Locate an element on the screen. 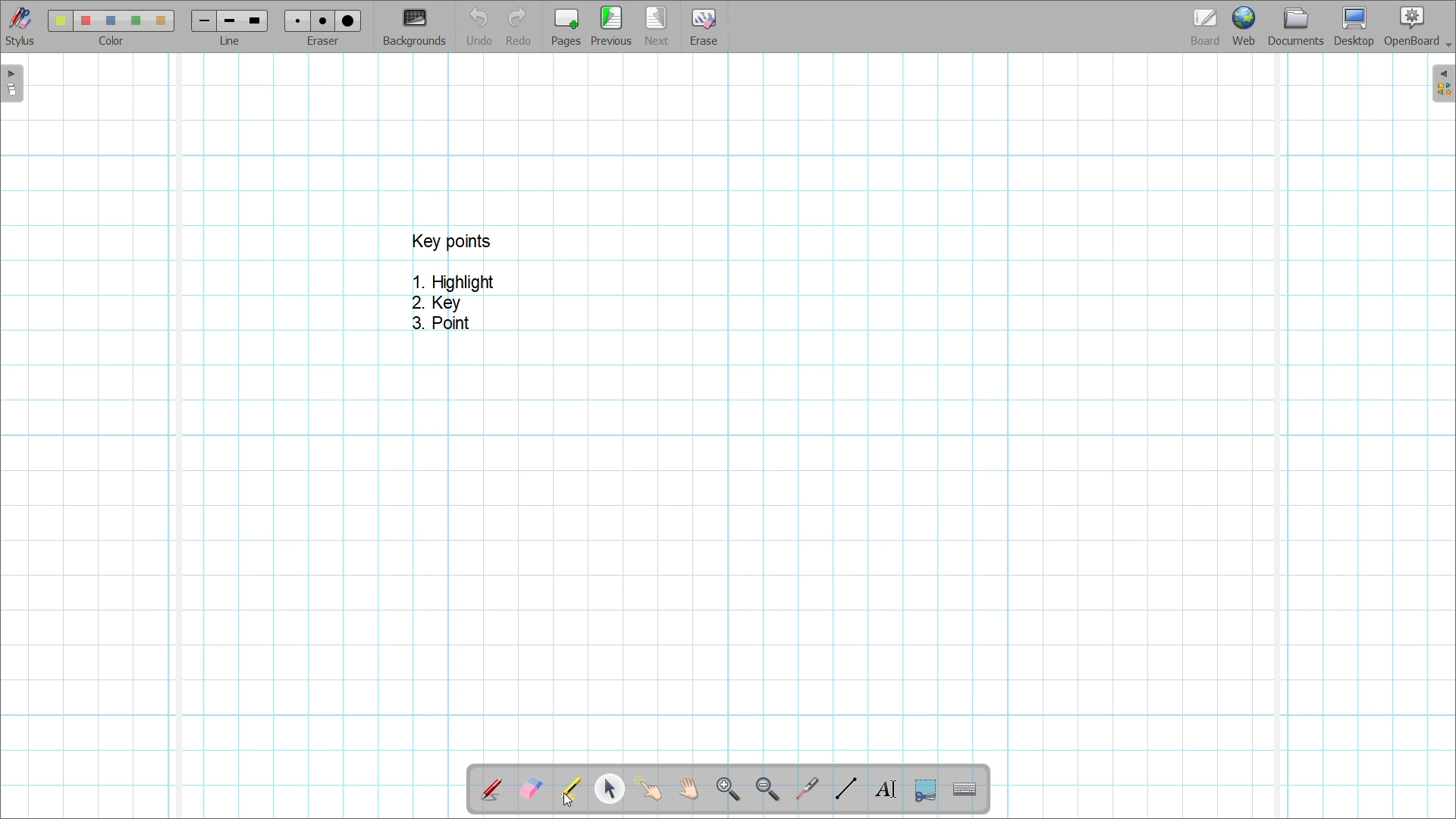 The height and width of the screenshot is (819, 1456). Eraser 1 is located at coordinates (297, 20).